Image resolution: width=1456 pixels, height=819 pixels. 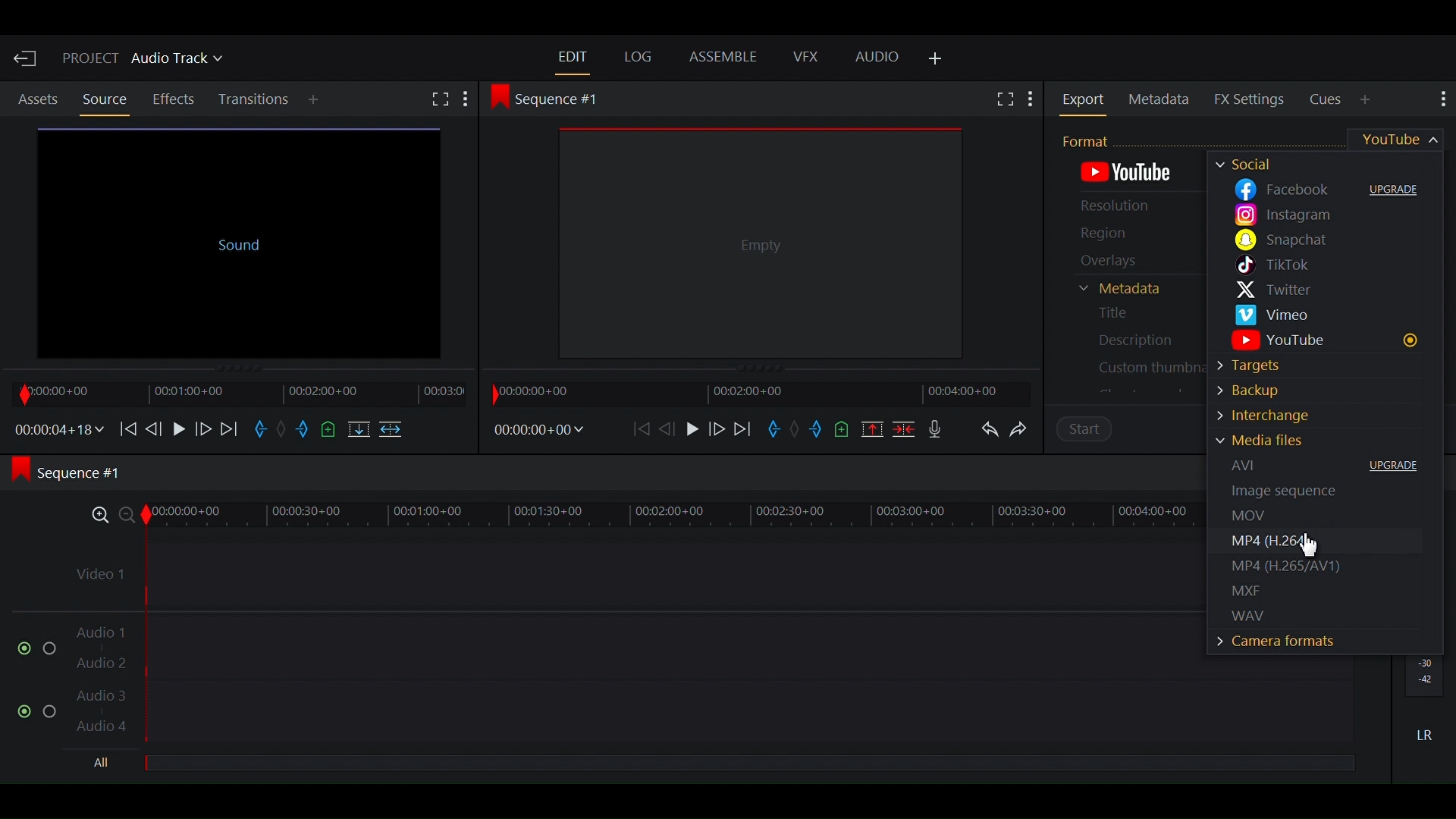 What do you see at coordinates (726, 58) in the screenshot?
I see `Assemble` at bounding box center [726, 58].